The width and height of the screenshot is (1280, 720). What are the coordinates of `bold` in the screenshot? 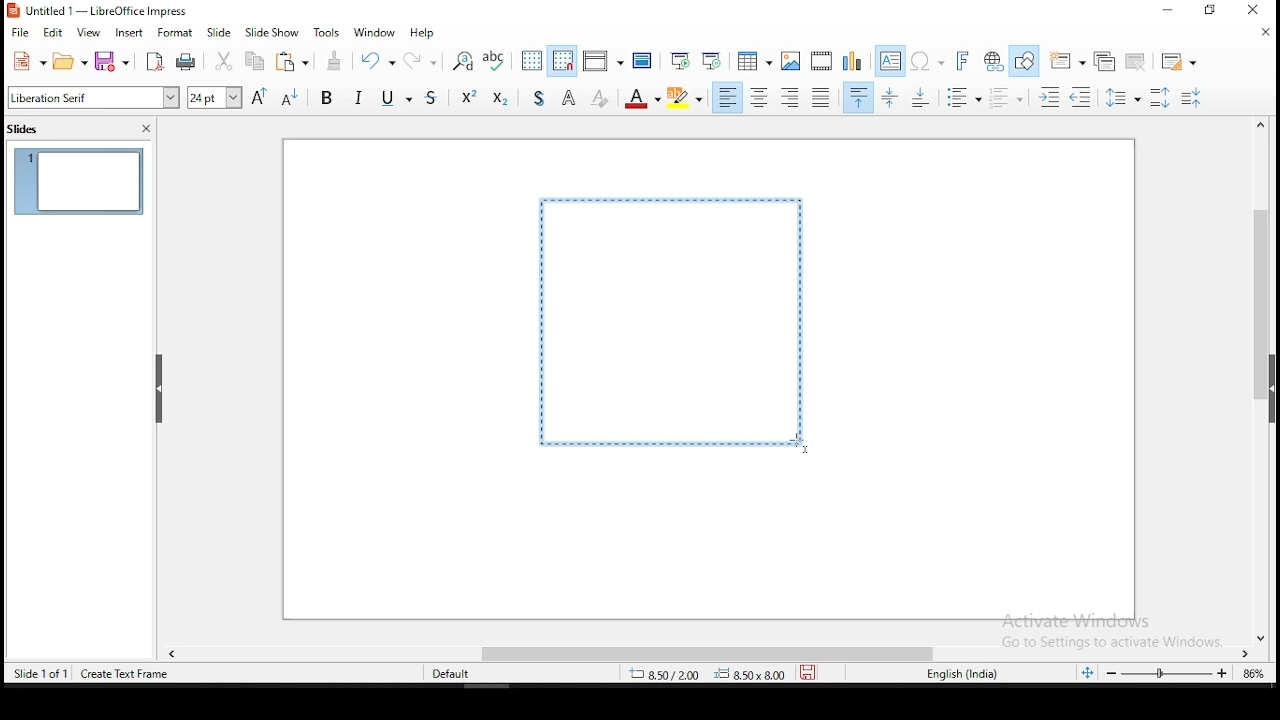 It's located at (328, 101).